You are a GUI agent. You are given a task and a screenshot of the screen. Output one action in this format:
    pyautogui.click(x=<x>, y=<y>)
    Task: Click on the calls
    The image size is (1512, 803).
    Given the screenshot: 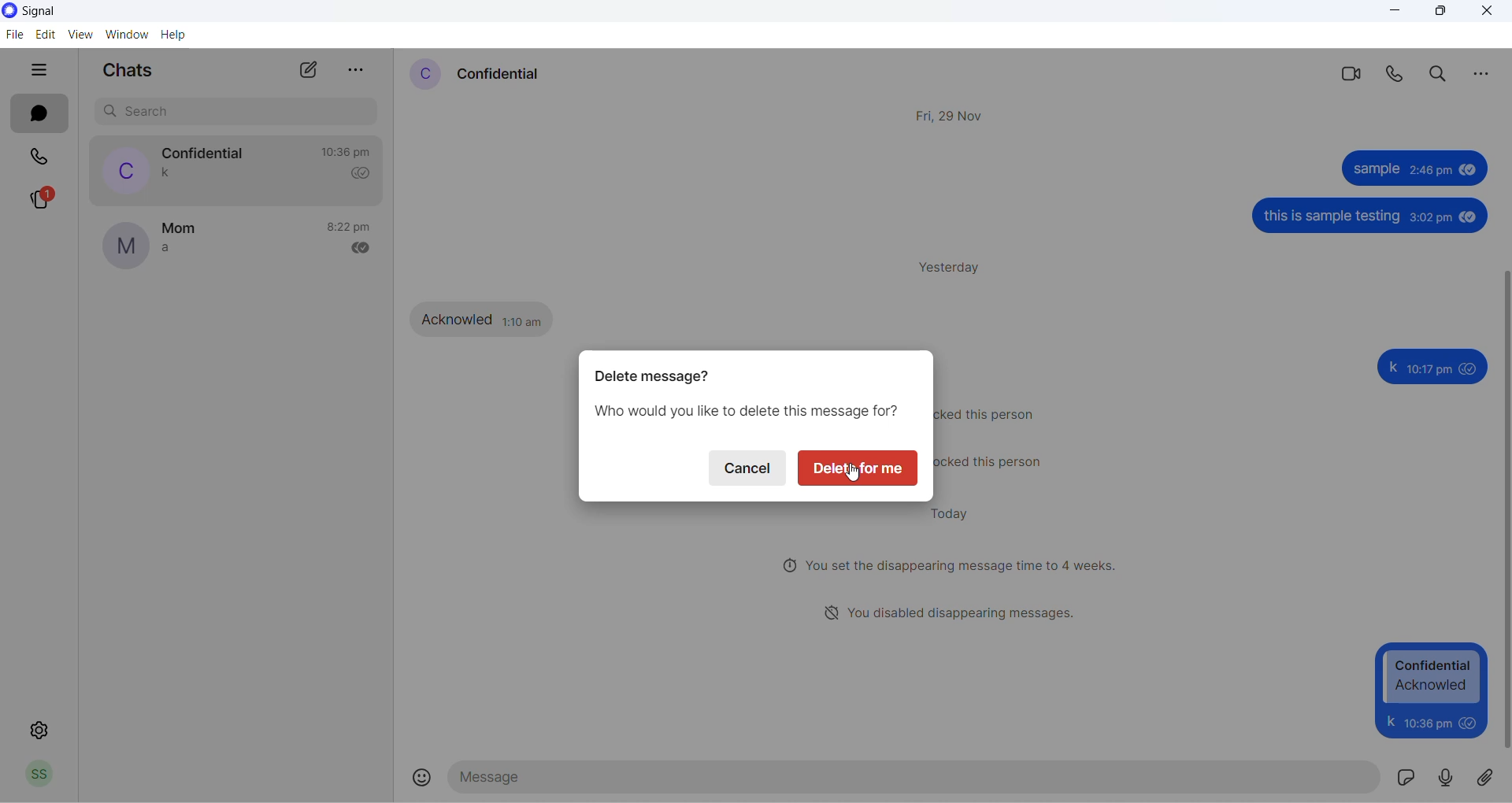 What is the action you would take?
    pyautogui.click(x=44, y=160)
    